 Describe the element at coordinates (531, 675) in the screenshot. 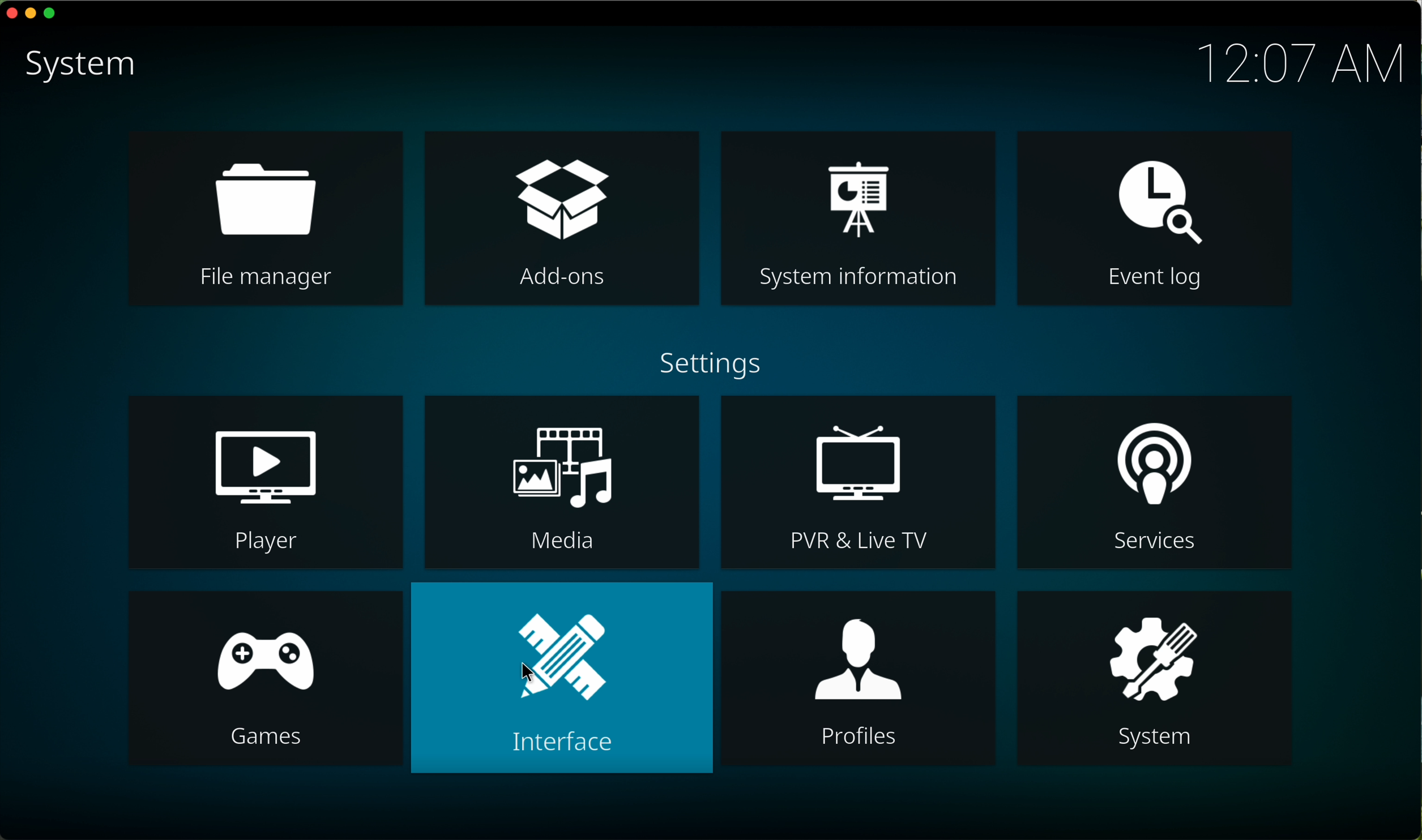

I see `cursor` at that location.